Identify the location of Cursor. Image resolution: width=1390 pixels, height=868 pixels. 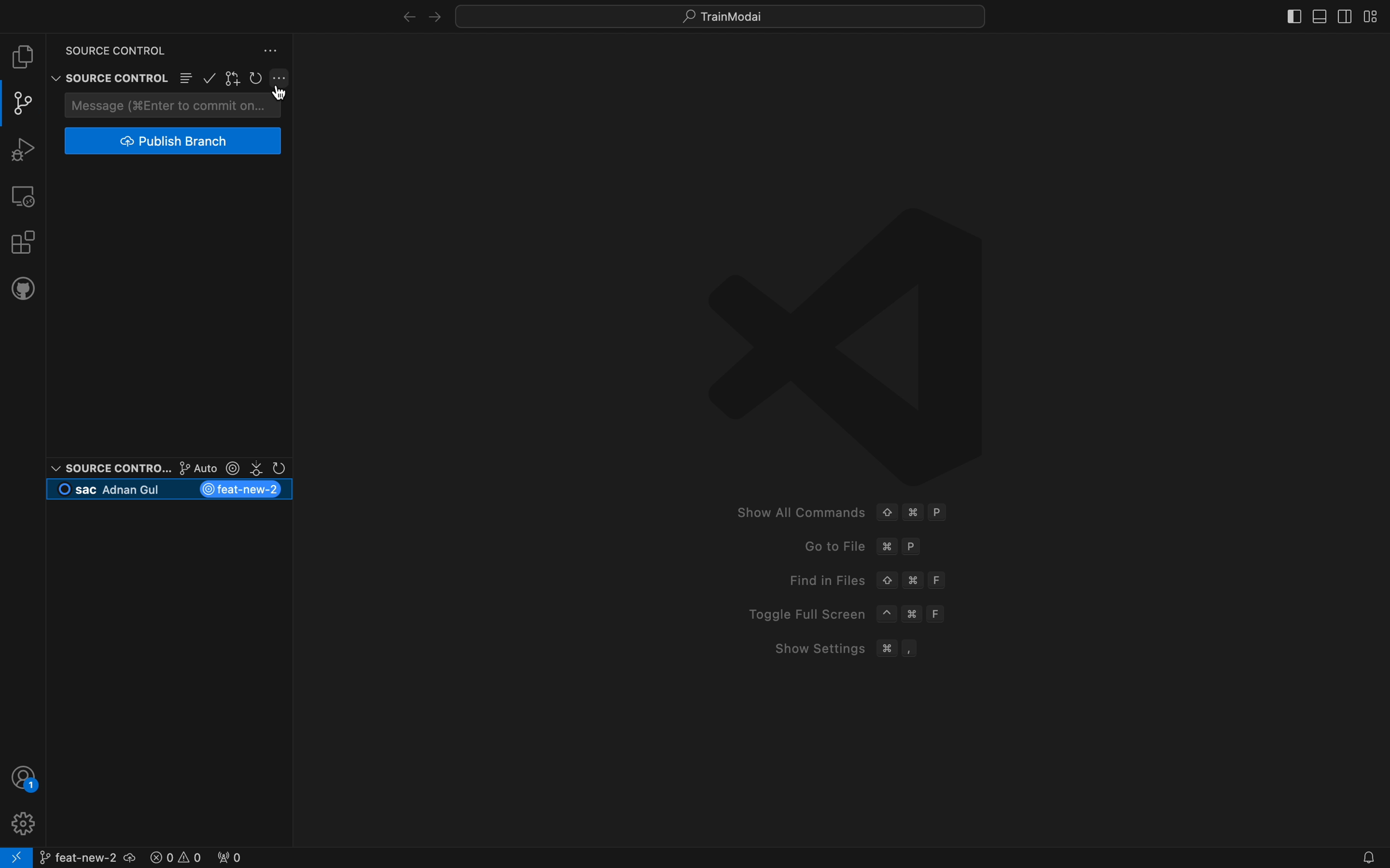
(280, 93).